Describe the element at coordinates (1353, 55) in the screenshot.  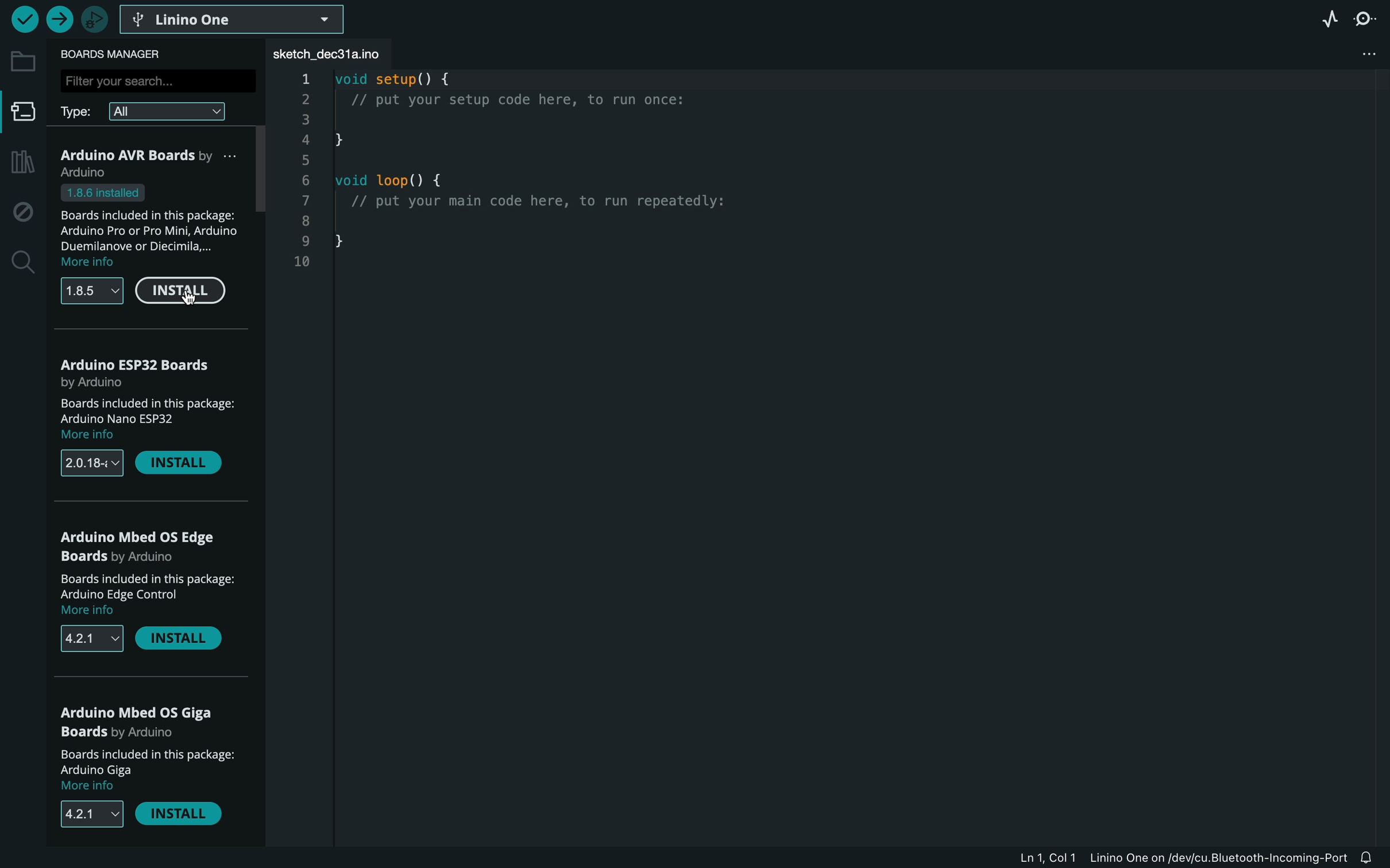
I see `file setting` at that location.